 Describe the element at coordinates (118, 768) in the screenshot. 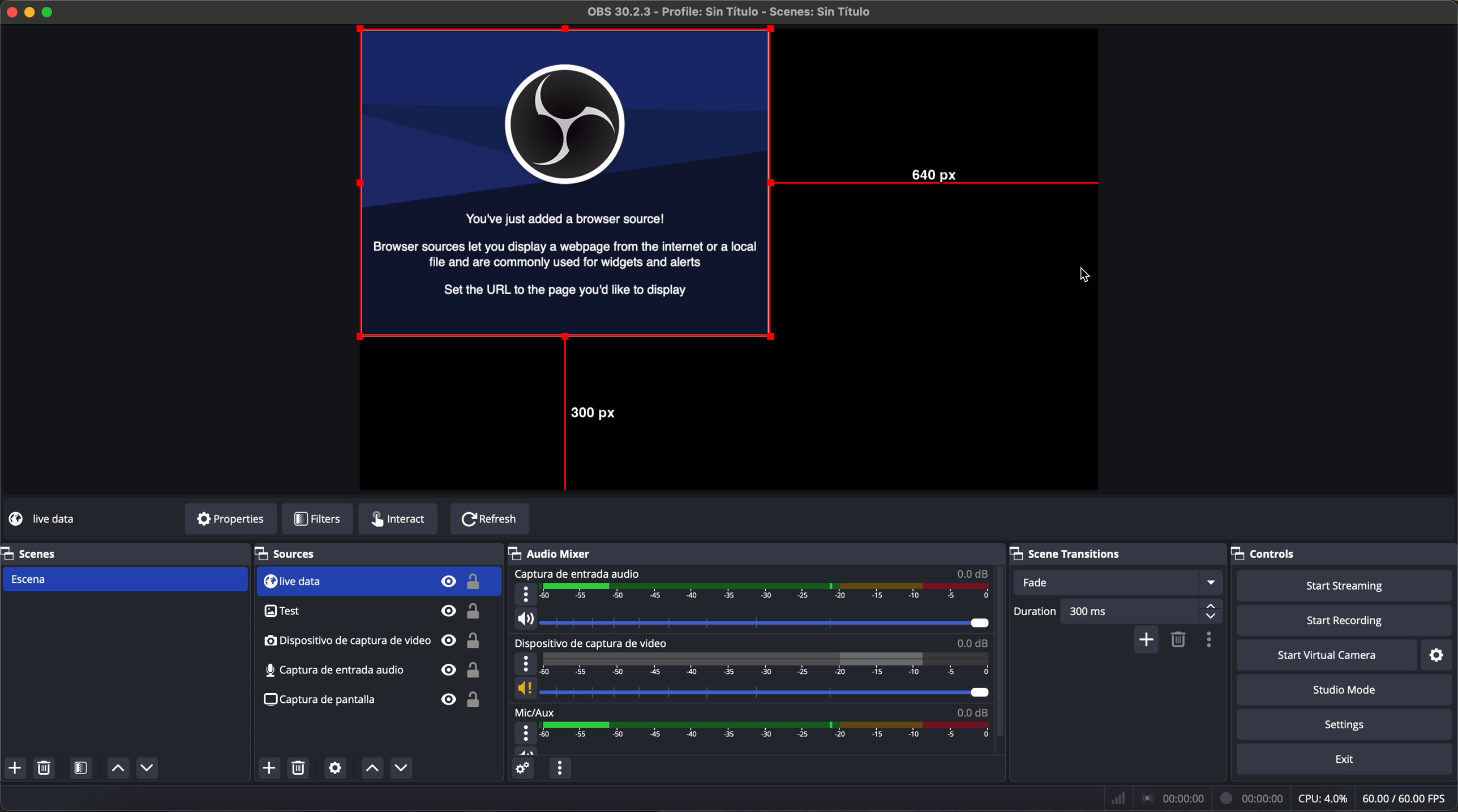

I see `move sources up` at that location.